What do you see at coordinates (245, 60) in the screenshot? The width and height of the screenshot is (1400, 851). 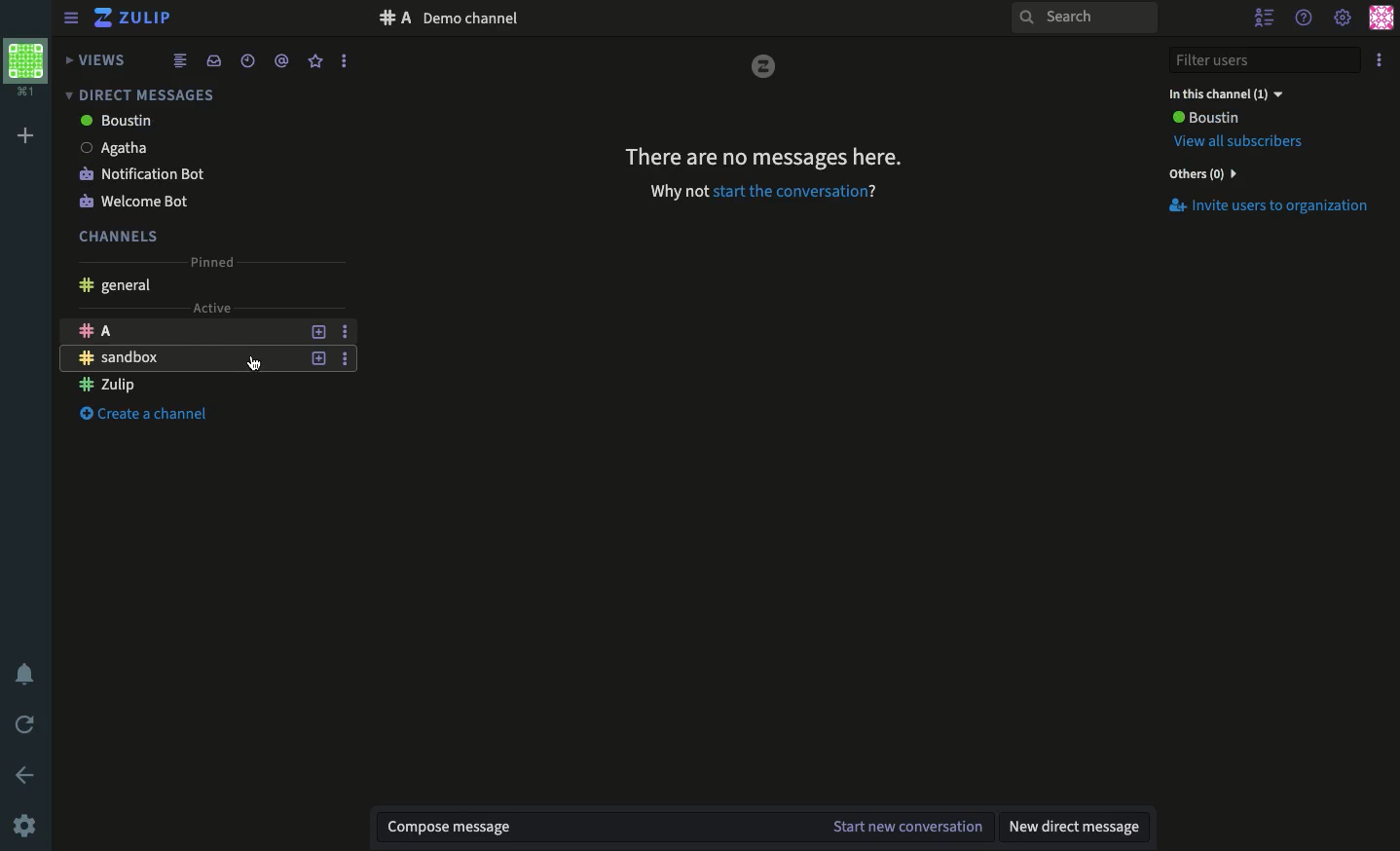 I see `Time` at bounding box center [245, 60].